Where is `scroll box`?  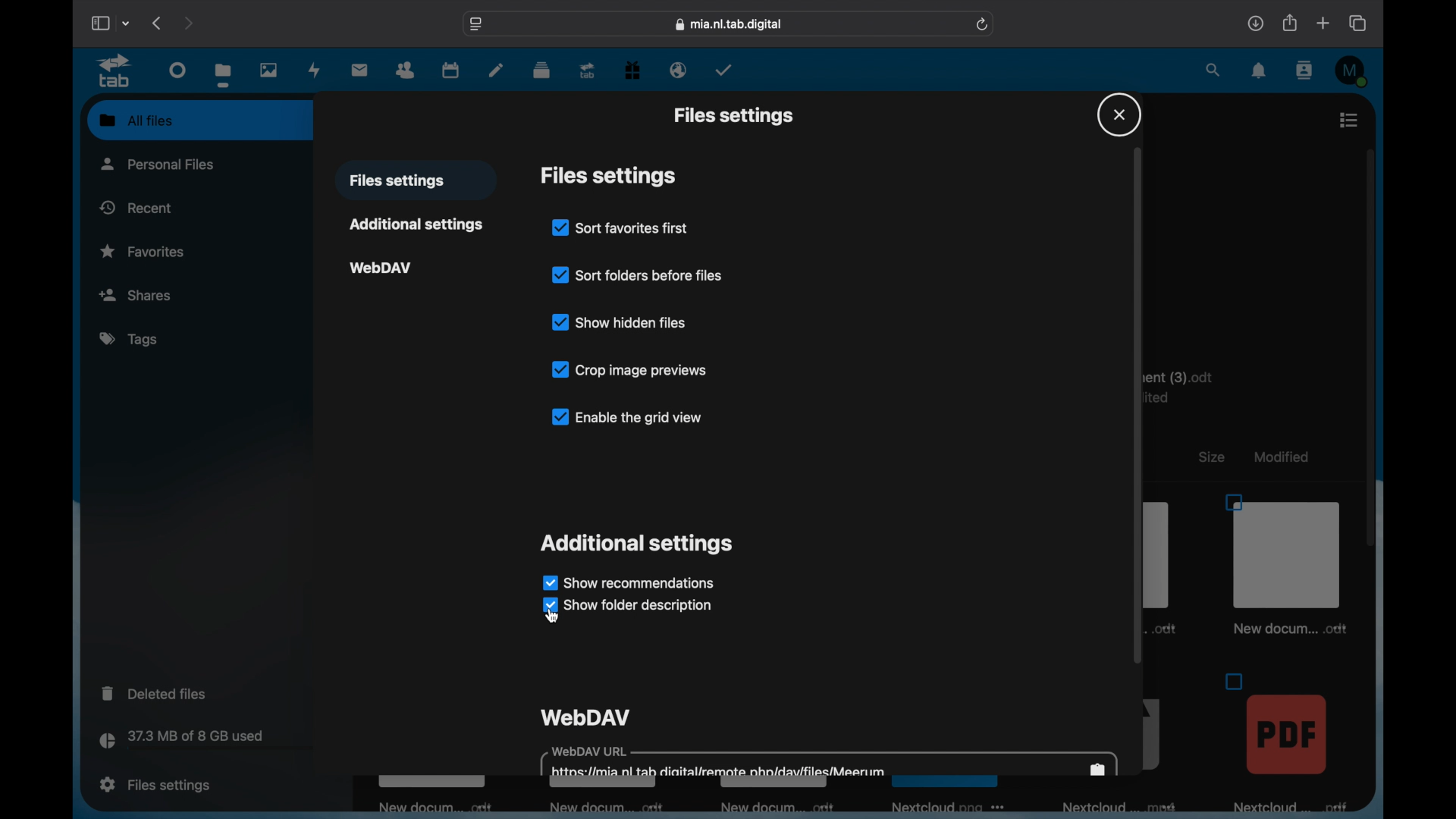 scroll box is located at coordinates (1370, 347).